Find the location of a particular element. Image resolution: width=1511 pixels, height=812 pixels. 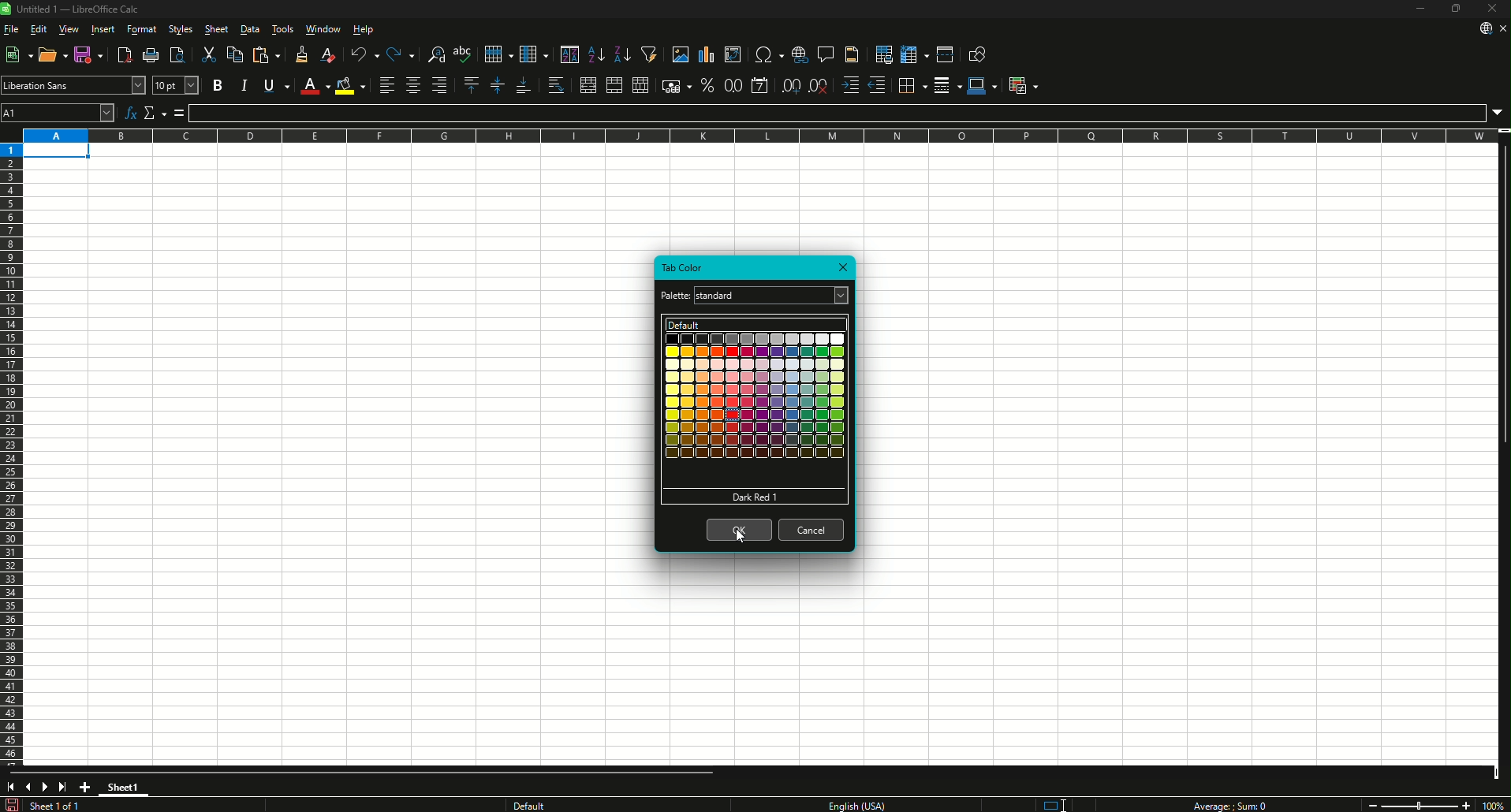

Column is located at coordinates (535, 54).